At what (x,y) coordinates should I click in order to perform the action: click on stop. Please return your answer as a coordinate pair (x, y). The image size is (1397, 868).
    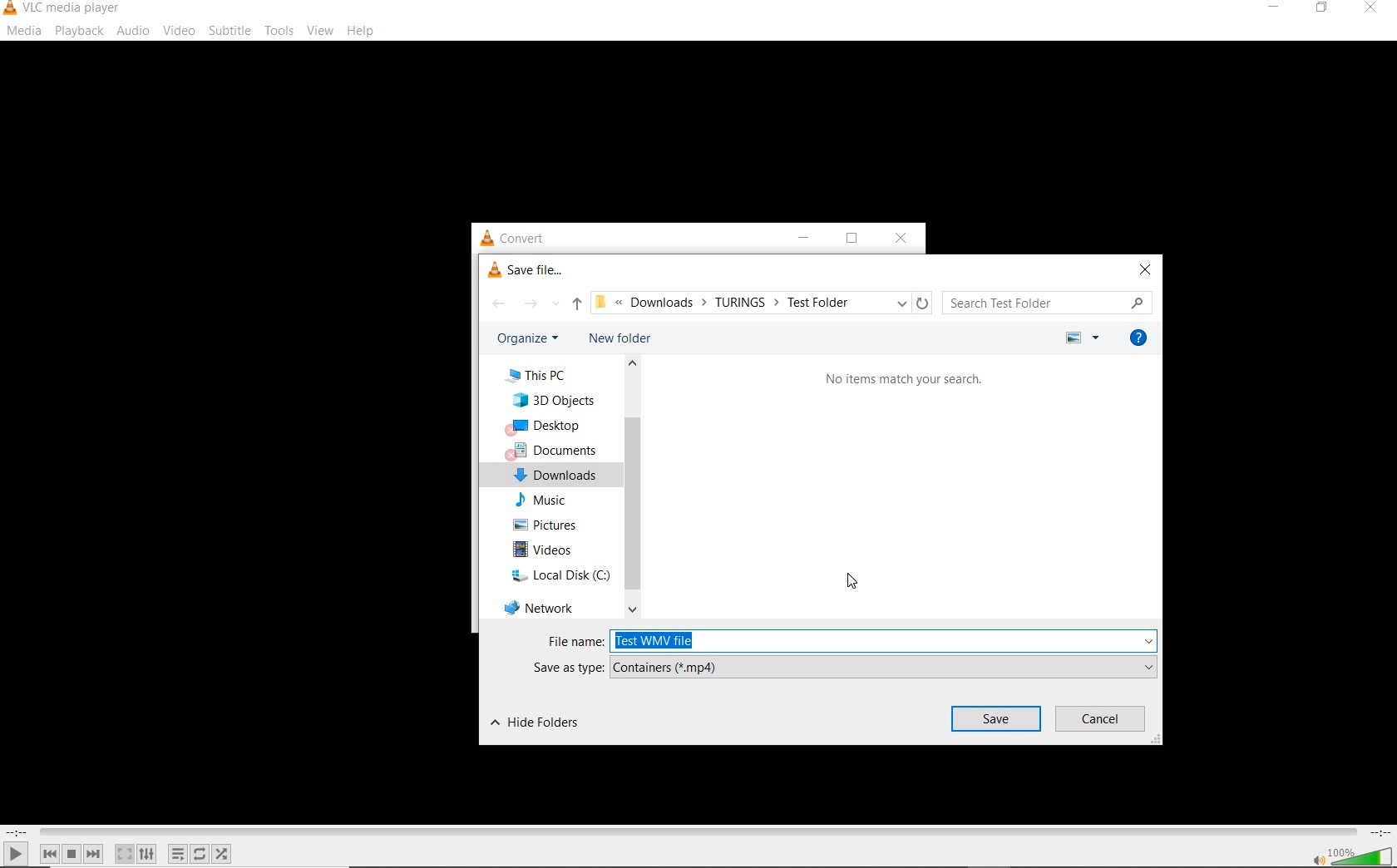
    Looking at the image, I should click on (72, 854).